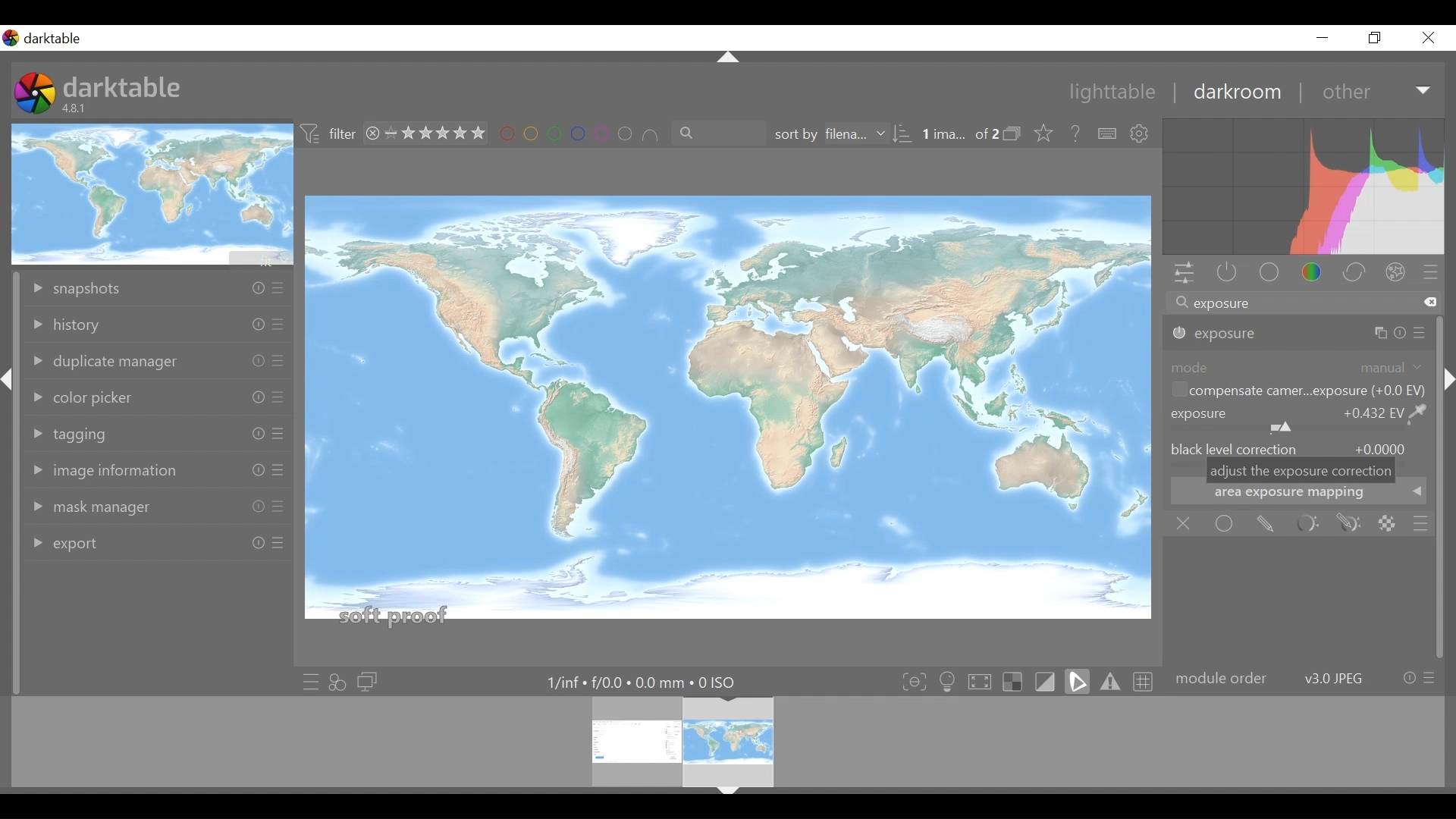 The width and height of the screenshot is (1456, 819). I want to click on color, so click(1316, 274).